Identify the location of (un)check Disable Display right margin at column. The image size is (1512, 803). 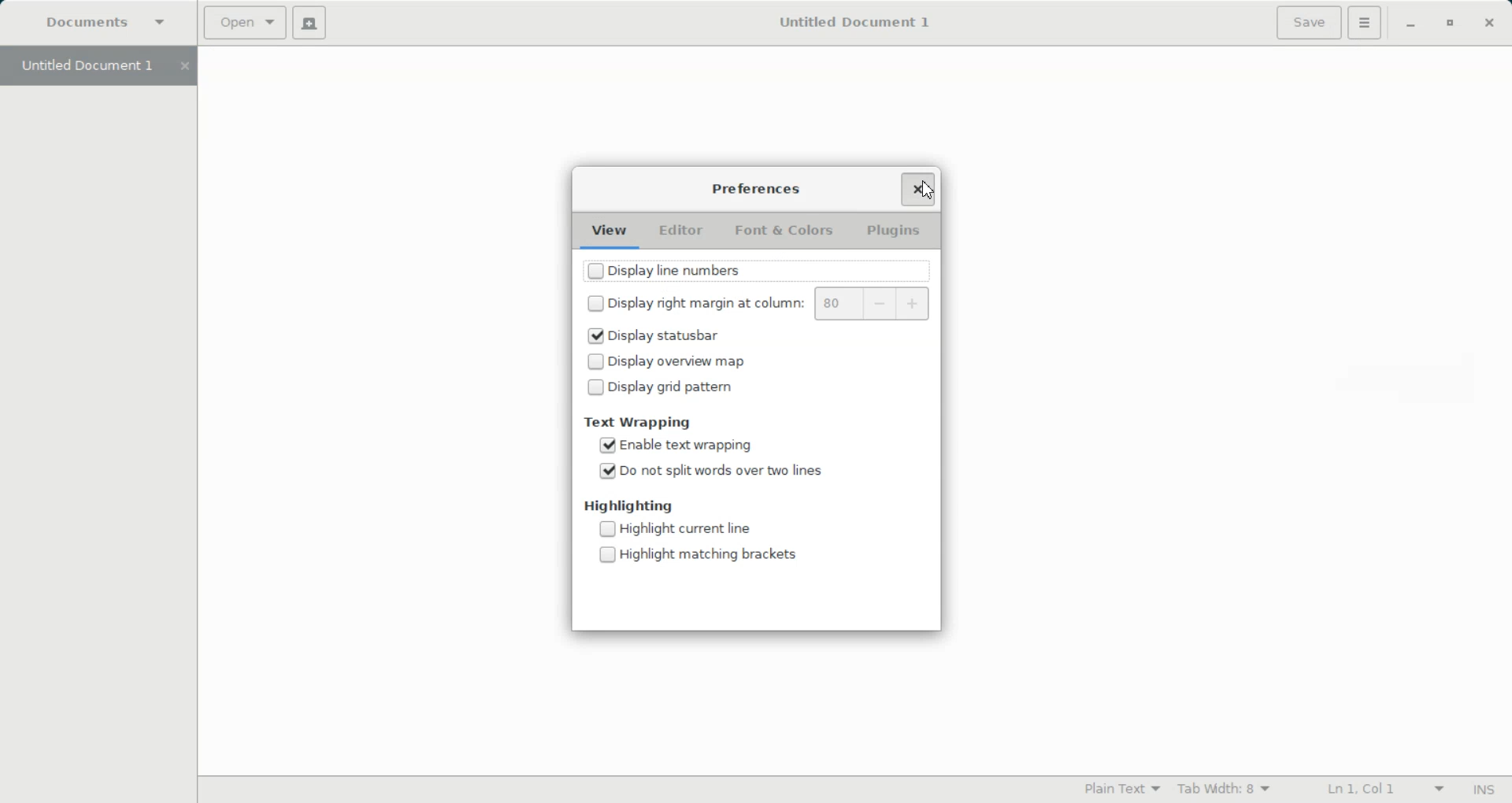
(694, 301).